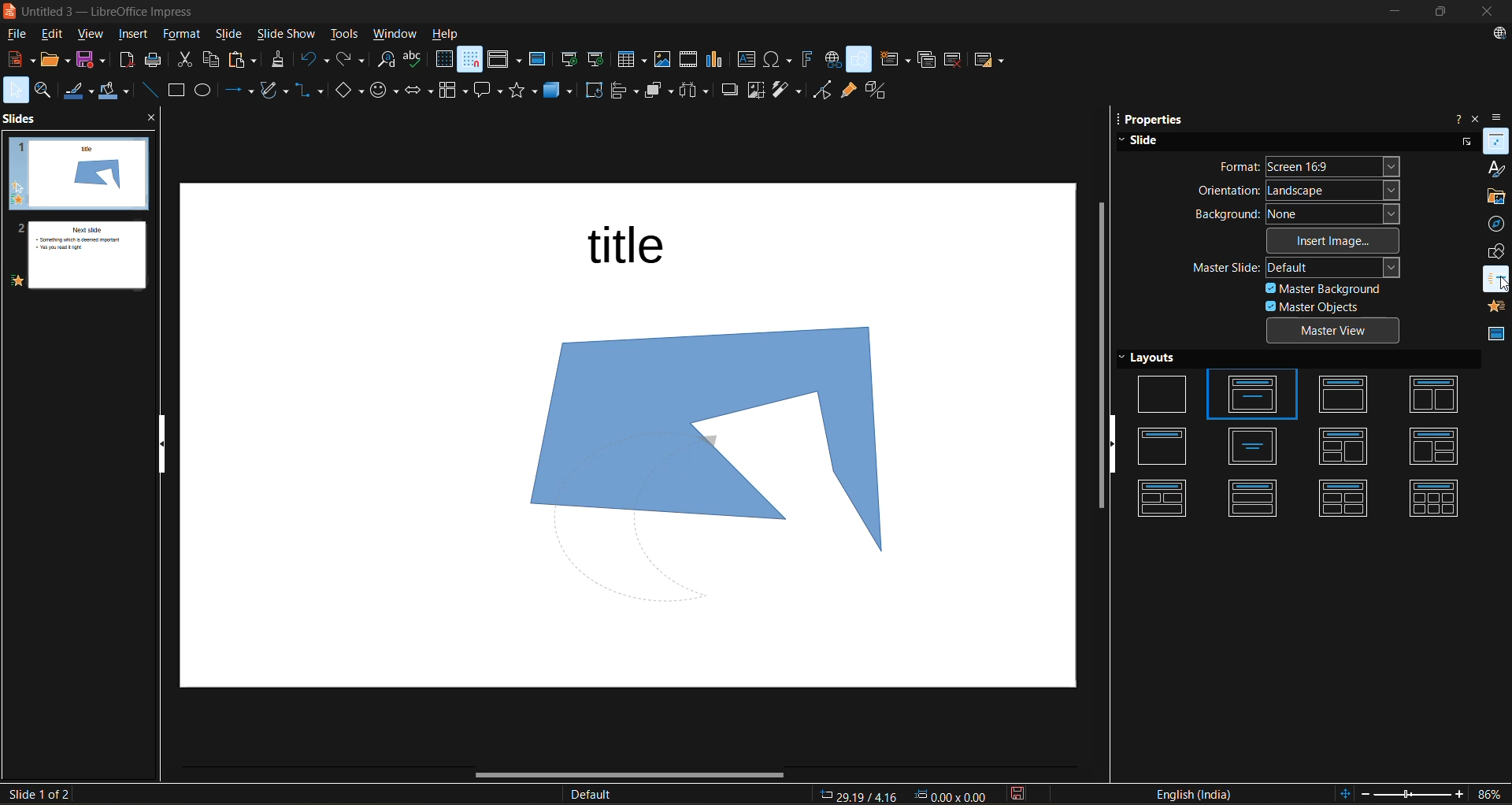 The height and width of the screenshot is (805, 1512). Describe the element at coordinates (834, 60) in the screenshot. I see `insert hyperlink` at that location.